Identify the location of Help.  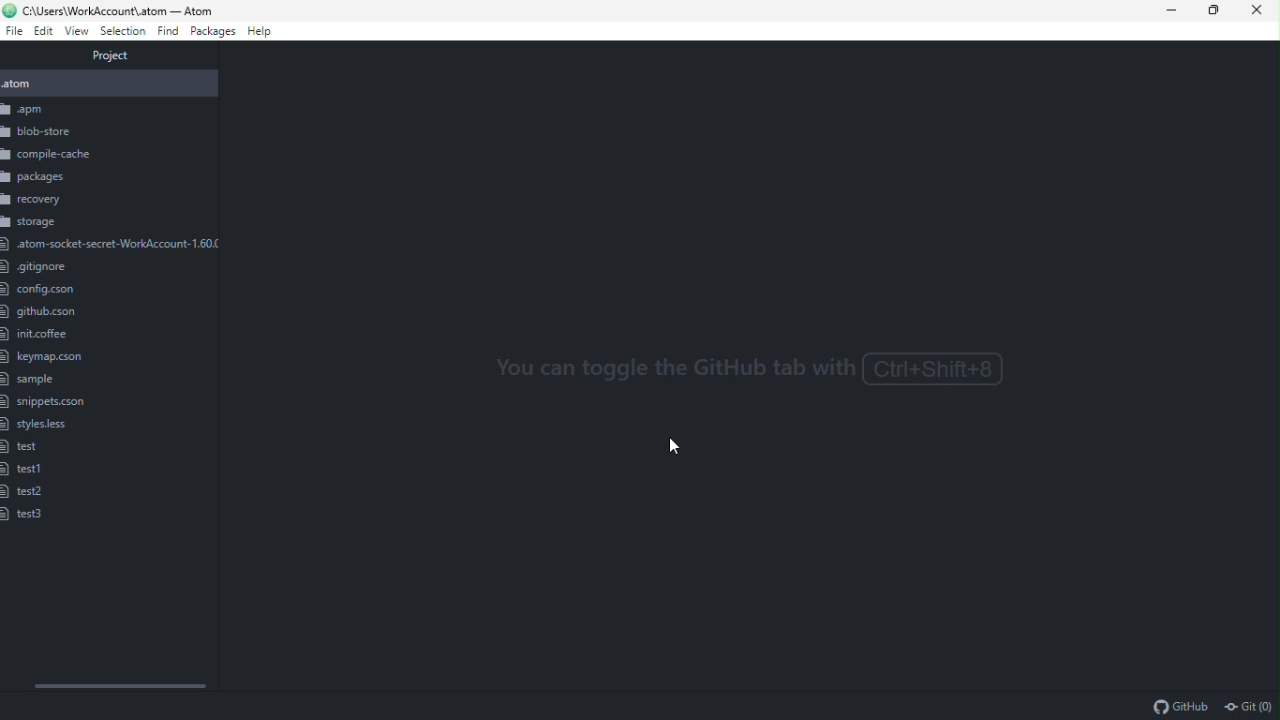
(264, 32).